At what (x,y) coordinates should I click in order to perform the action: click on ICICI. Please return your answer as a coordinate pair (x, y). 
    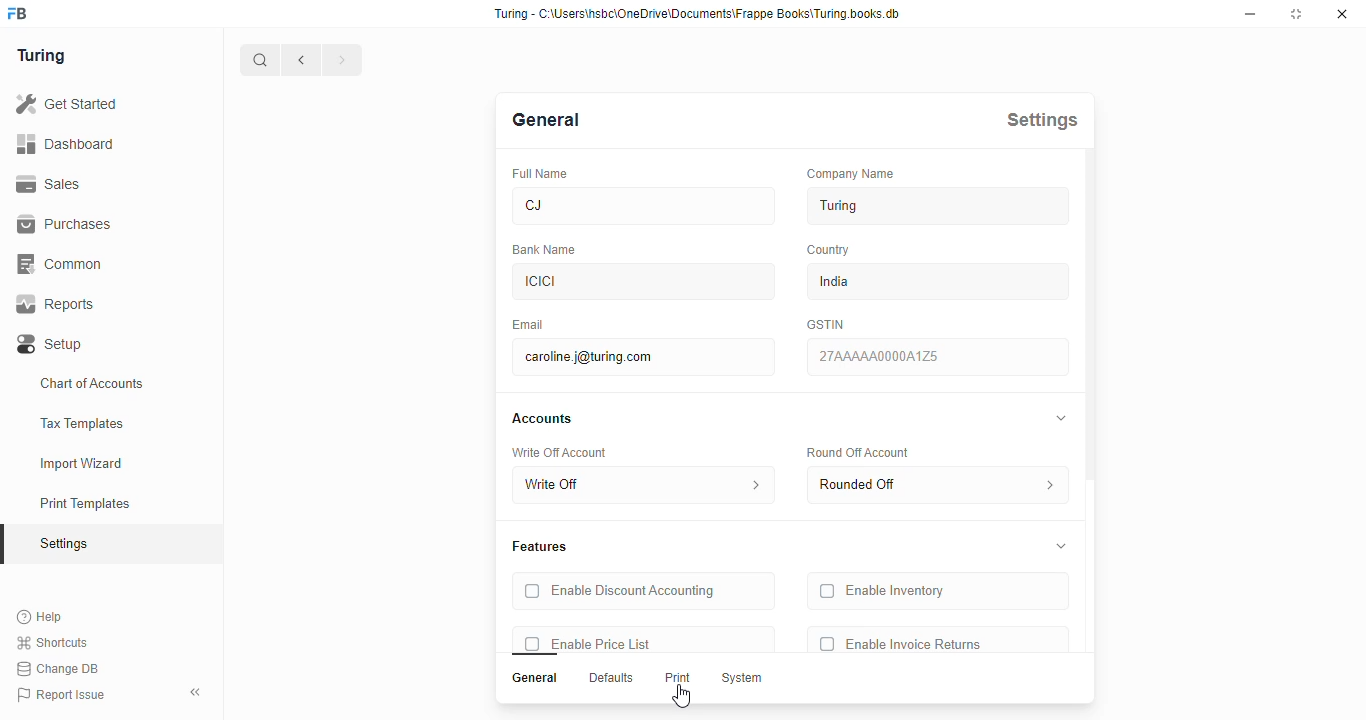
    Looking at the image, I should click on (643, 282).